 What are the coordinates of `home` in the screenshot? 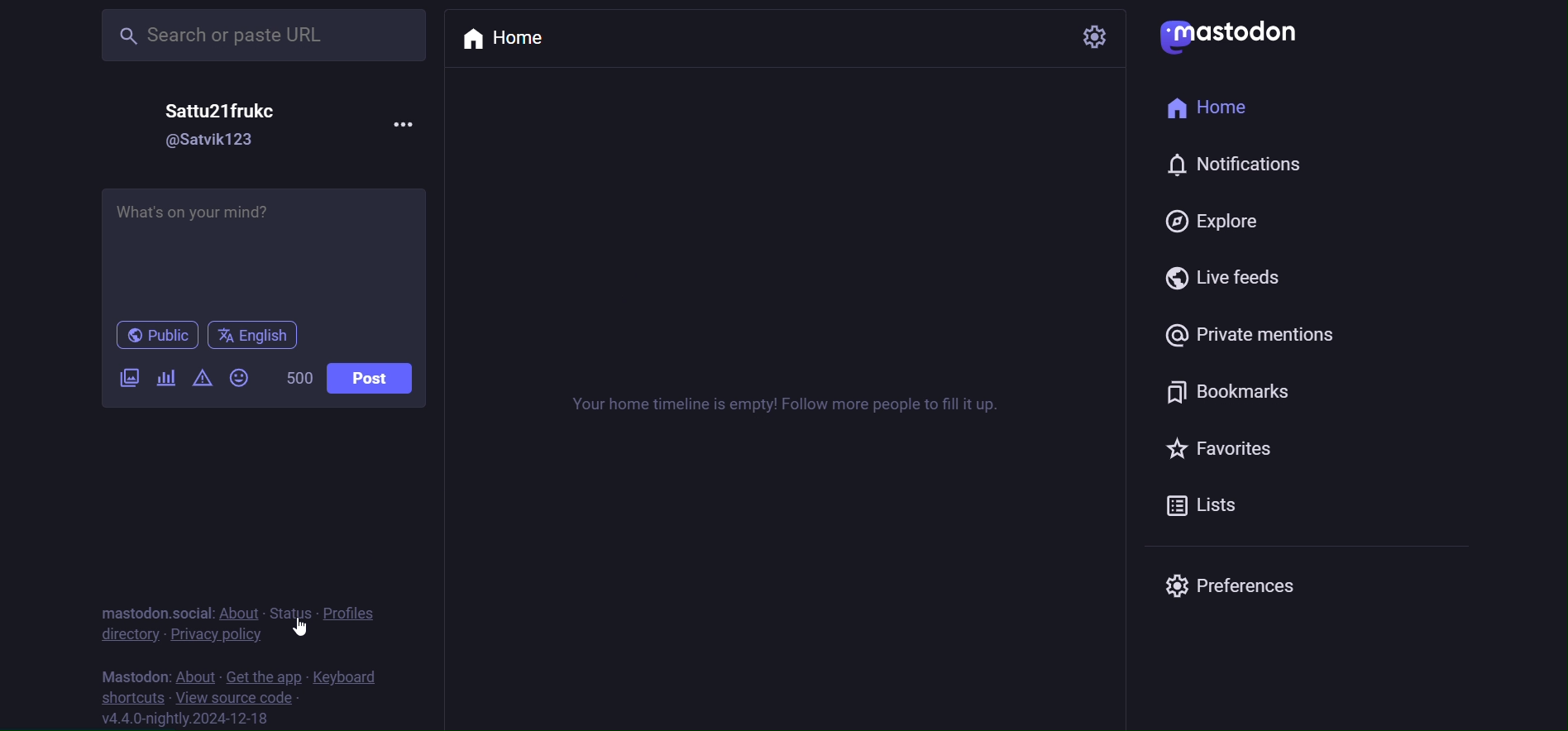 It's located at (1205, 108).